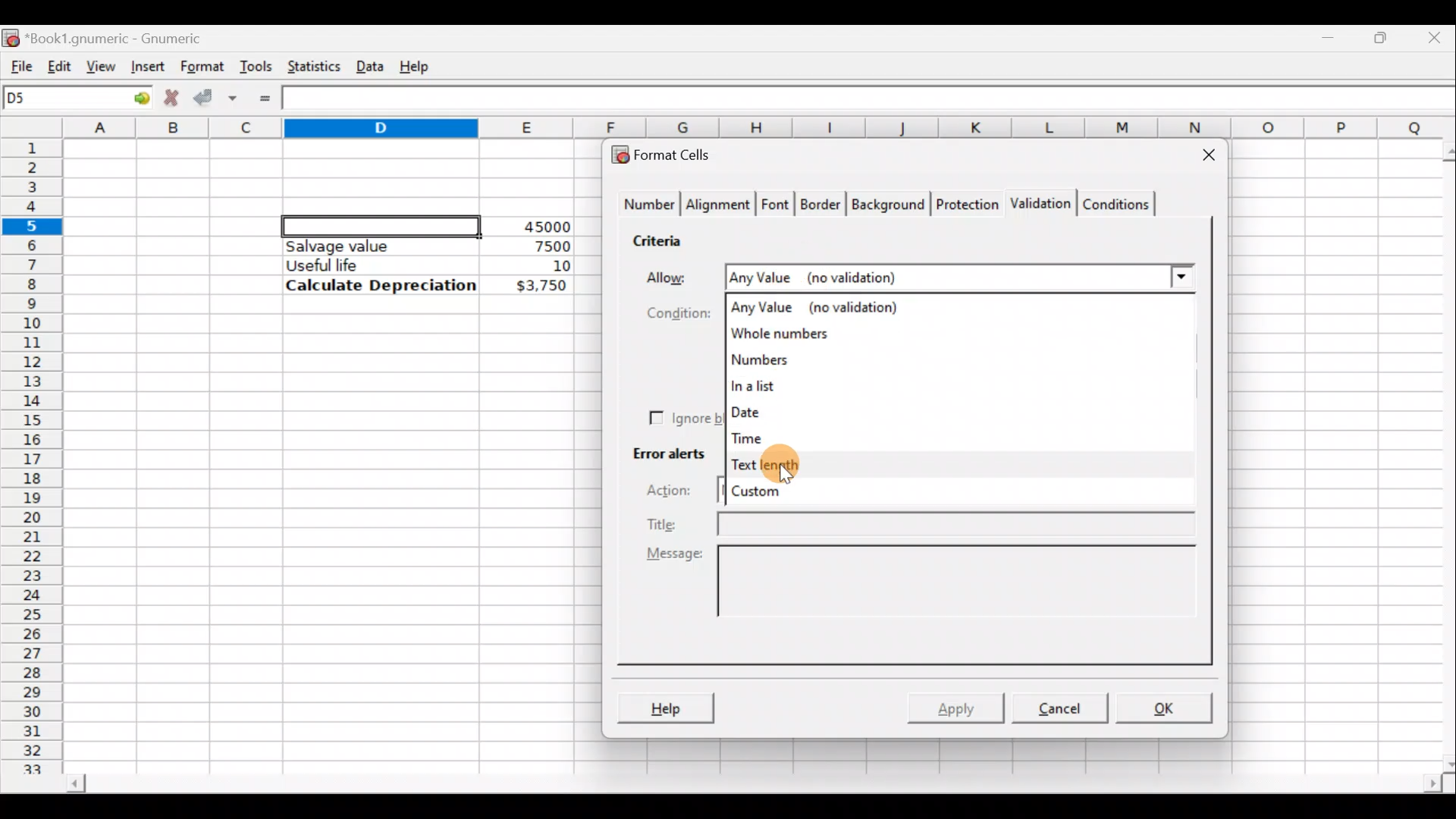 The image size is (1456, 819). I want to click on Formula bar, so click(873, 100).